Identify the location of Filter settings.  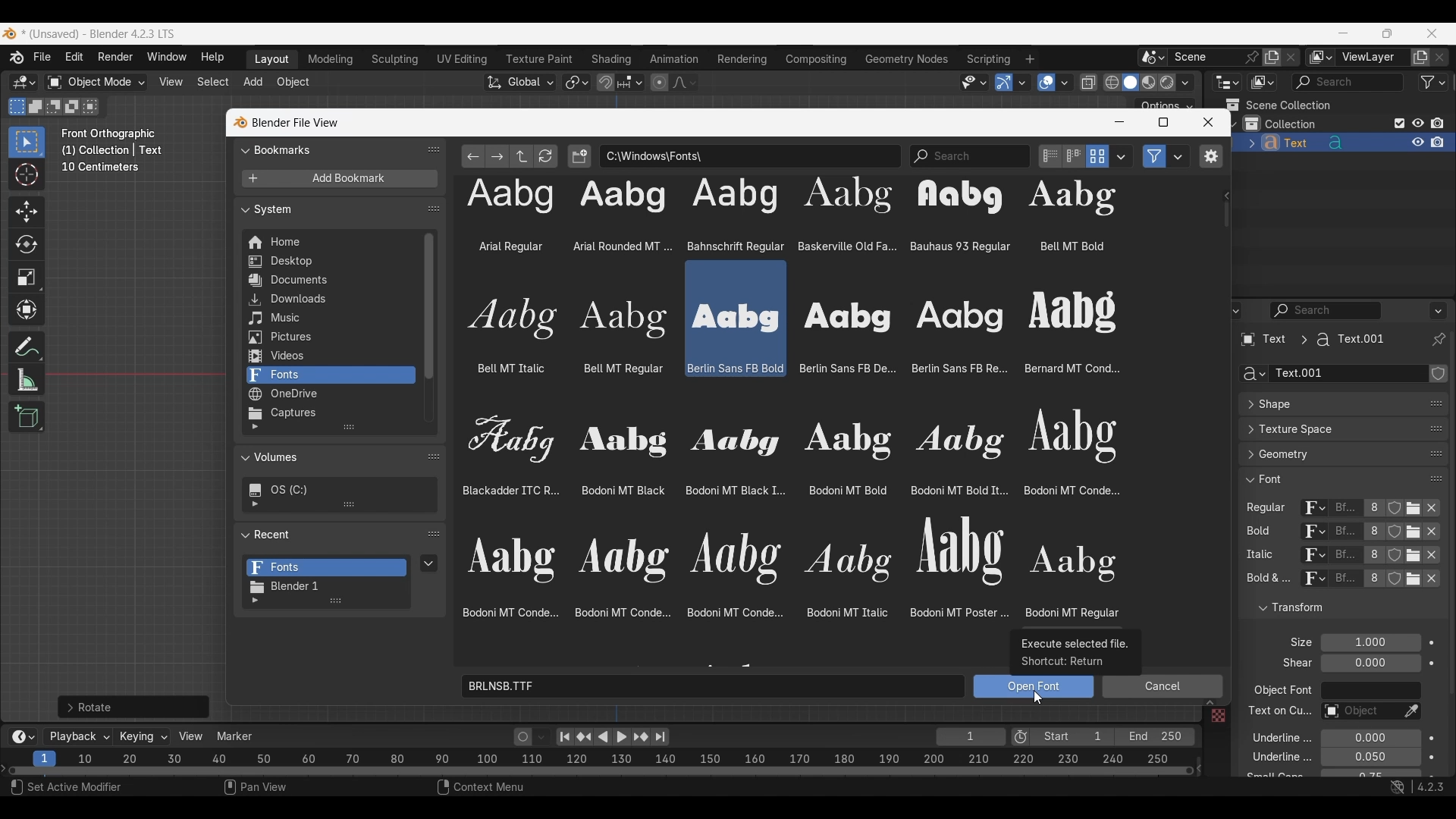
(1178, 156).